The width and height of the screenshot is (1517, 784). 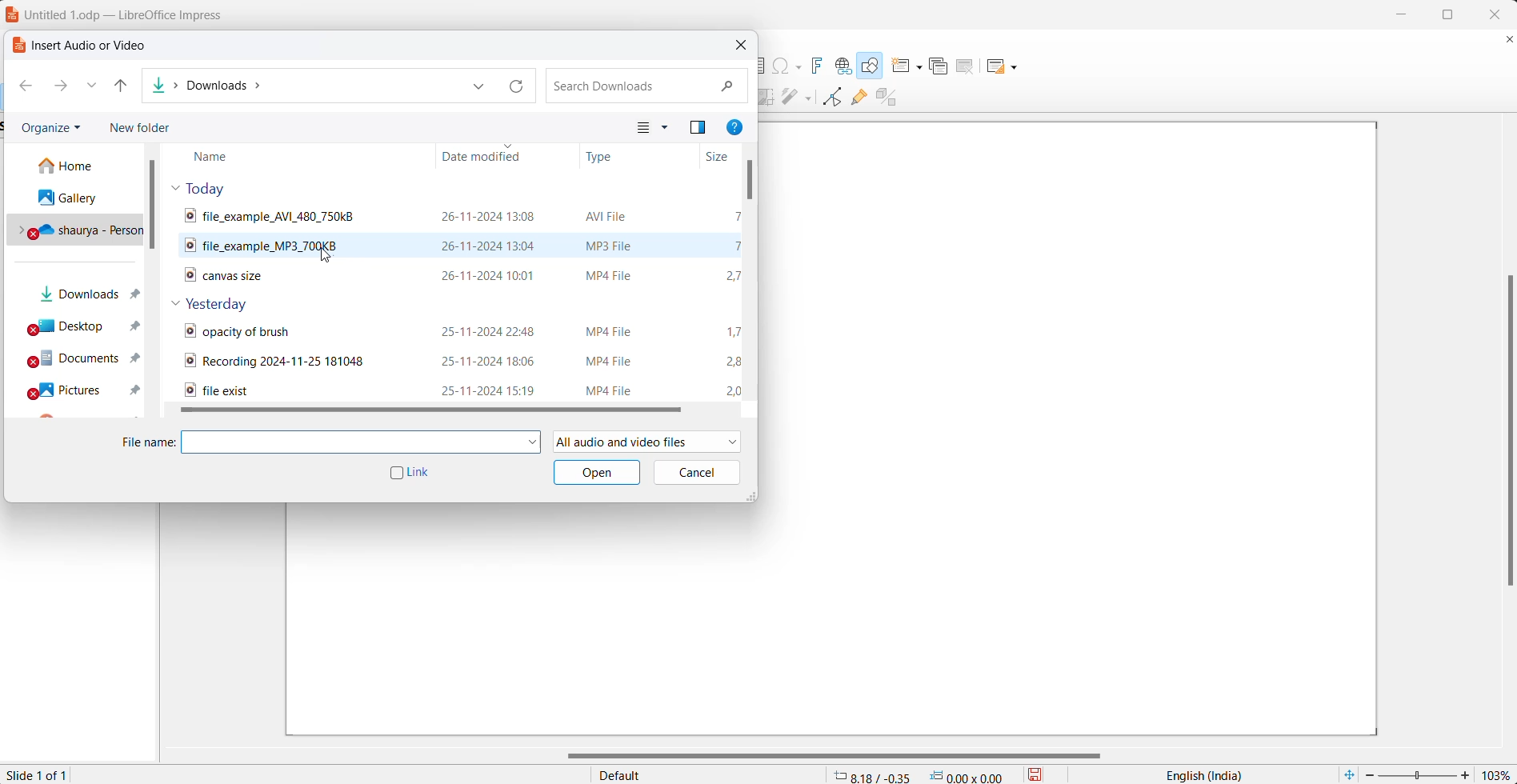 I want to click on logo, so click(x=12, y=15).